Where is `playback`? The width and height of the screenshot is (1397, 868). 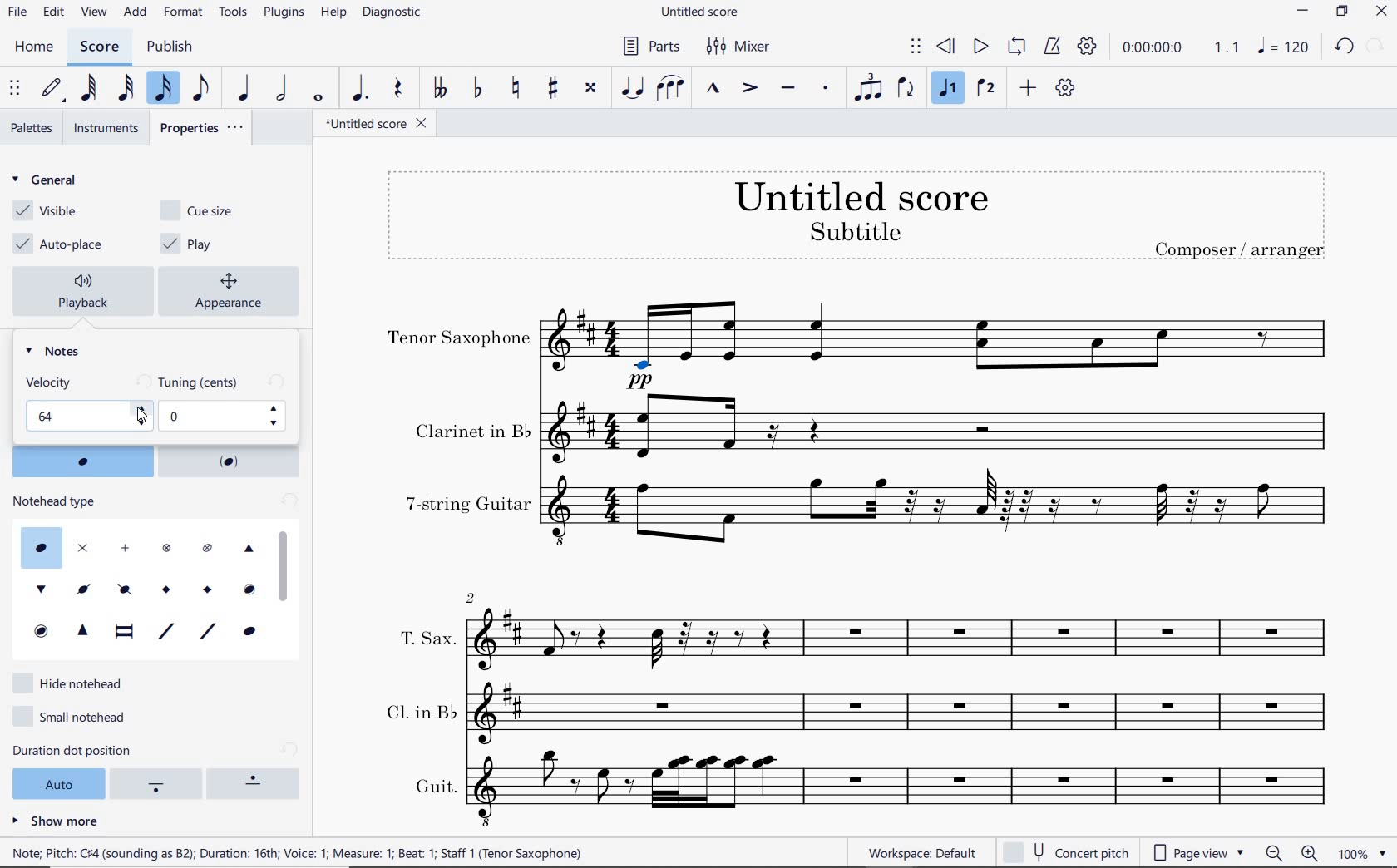
playback is located at coordinates (87, 292).